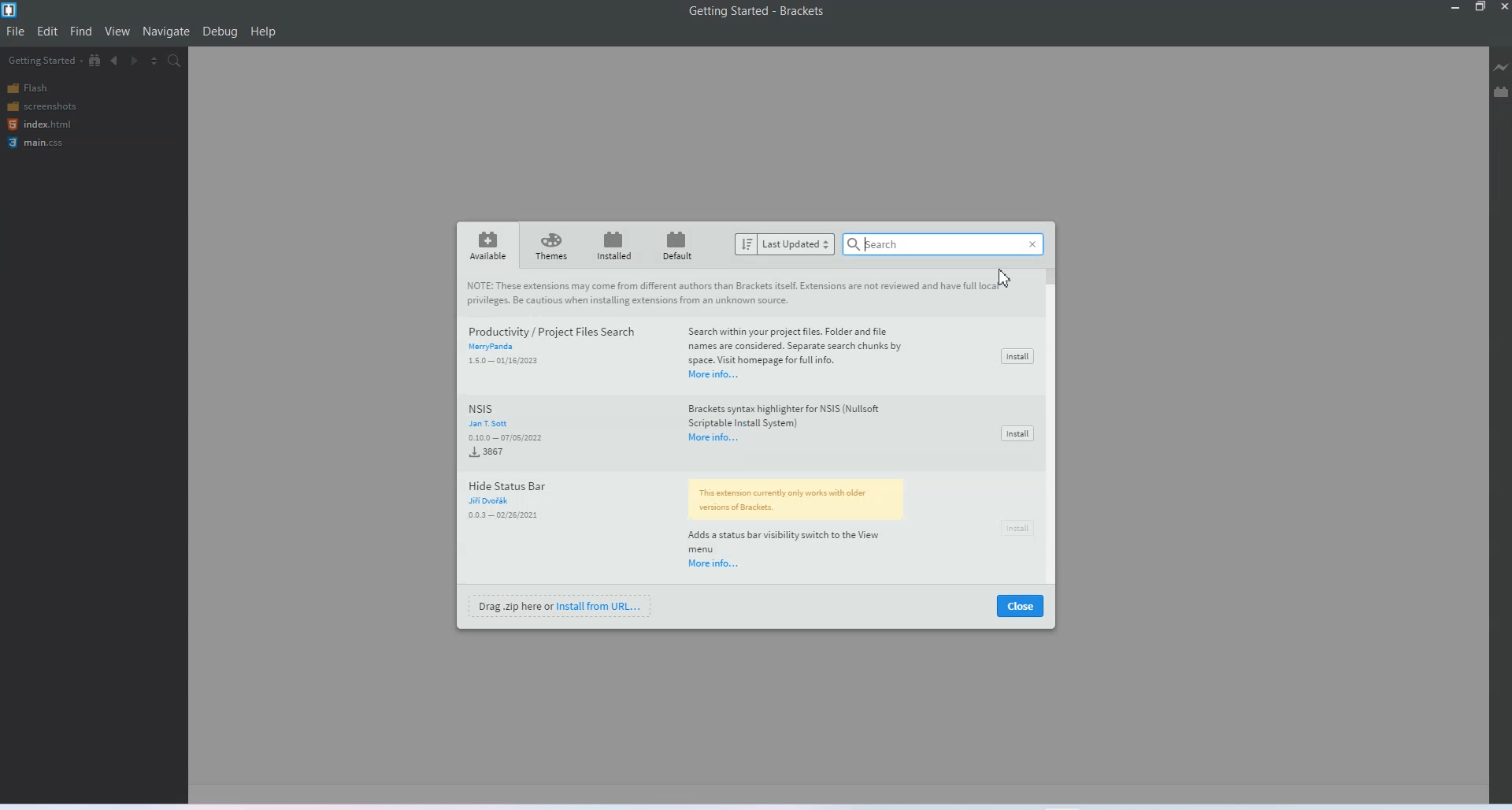  I want to click on Drag zip here or, so click(513, 605).